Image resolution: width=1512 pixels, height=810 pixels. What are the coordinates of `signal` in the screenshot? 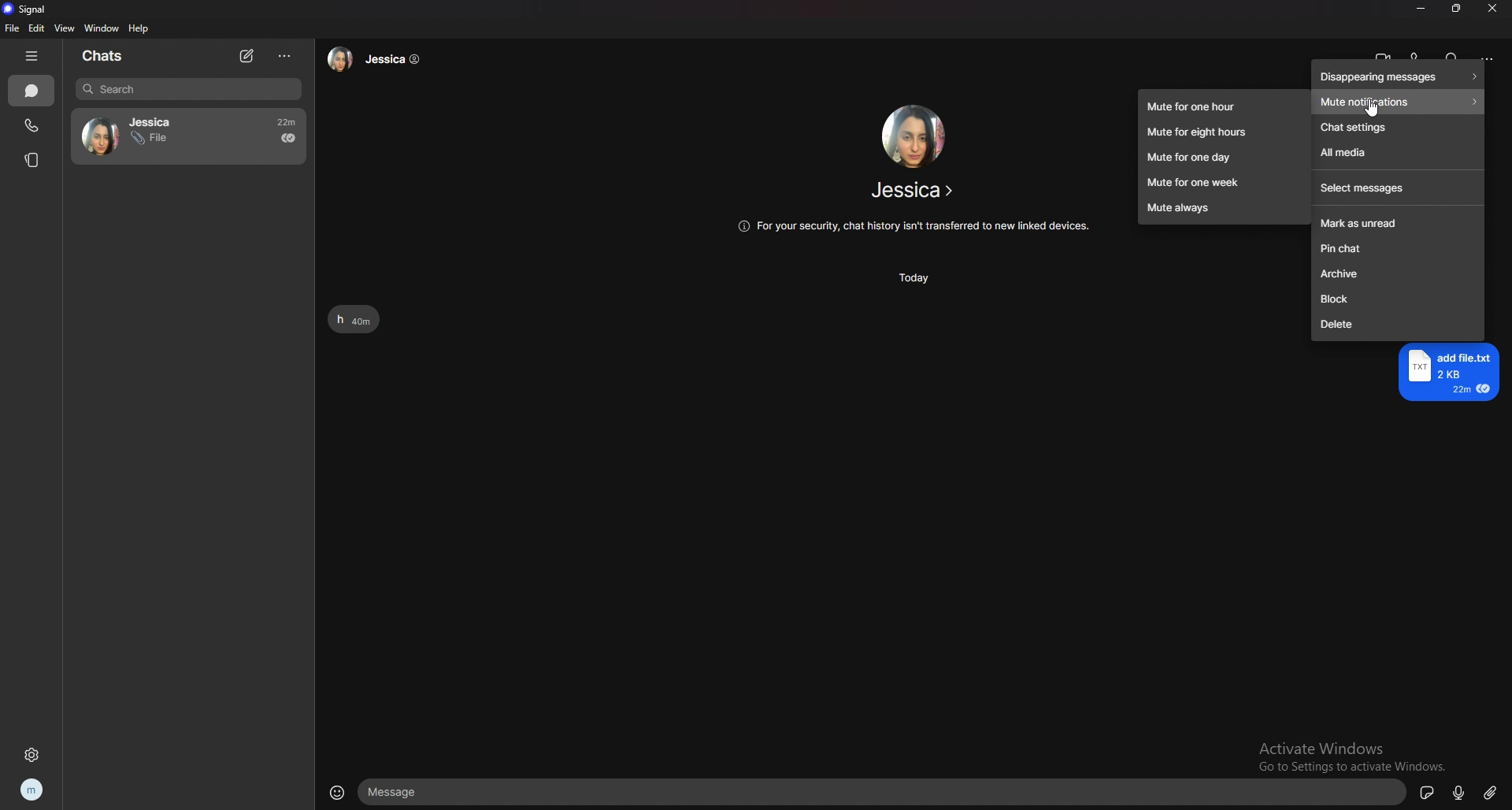 It's located at (27, 9).